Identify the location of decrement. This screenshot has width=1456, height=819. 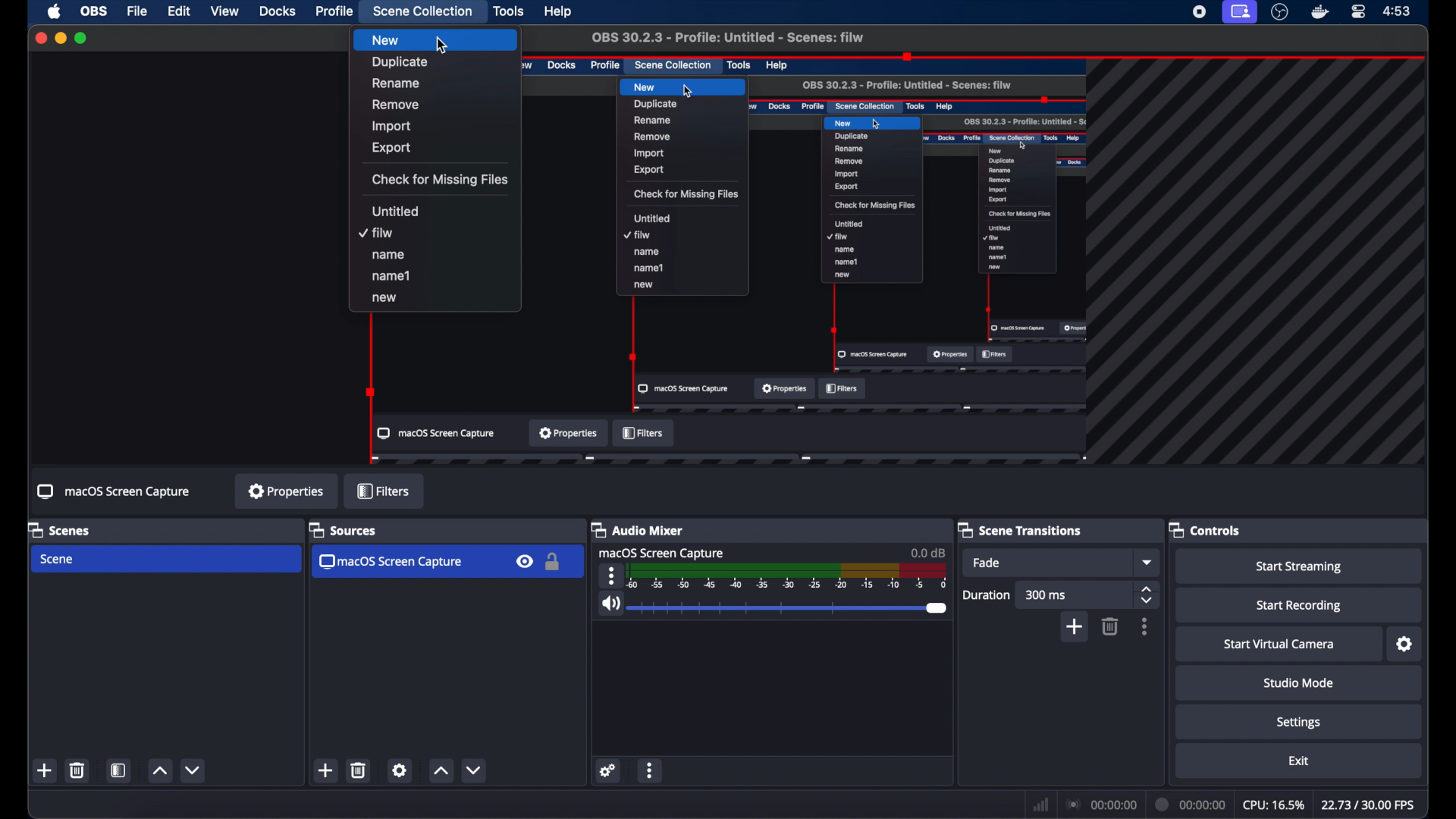
(193, 770).